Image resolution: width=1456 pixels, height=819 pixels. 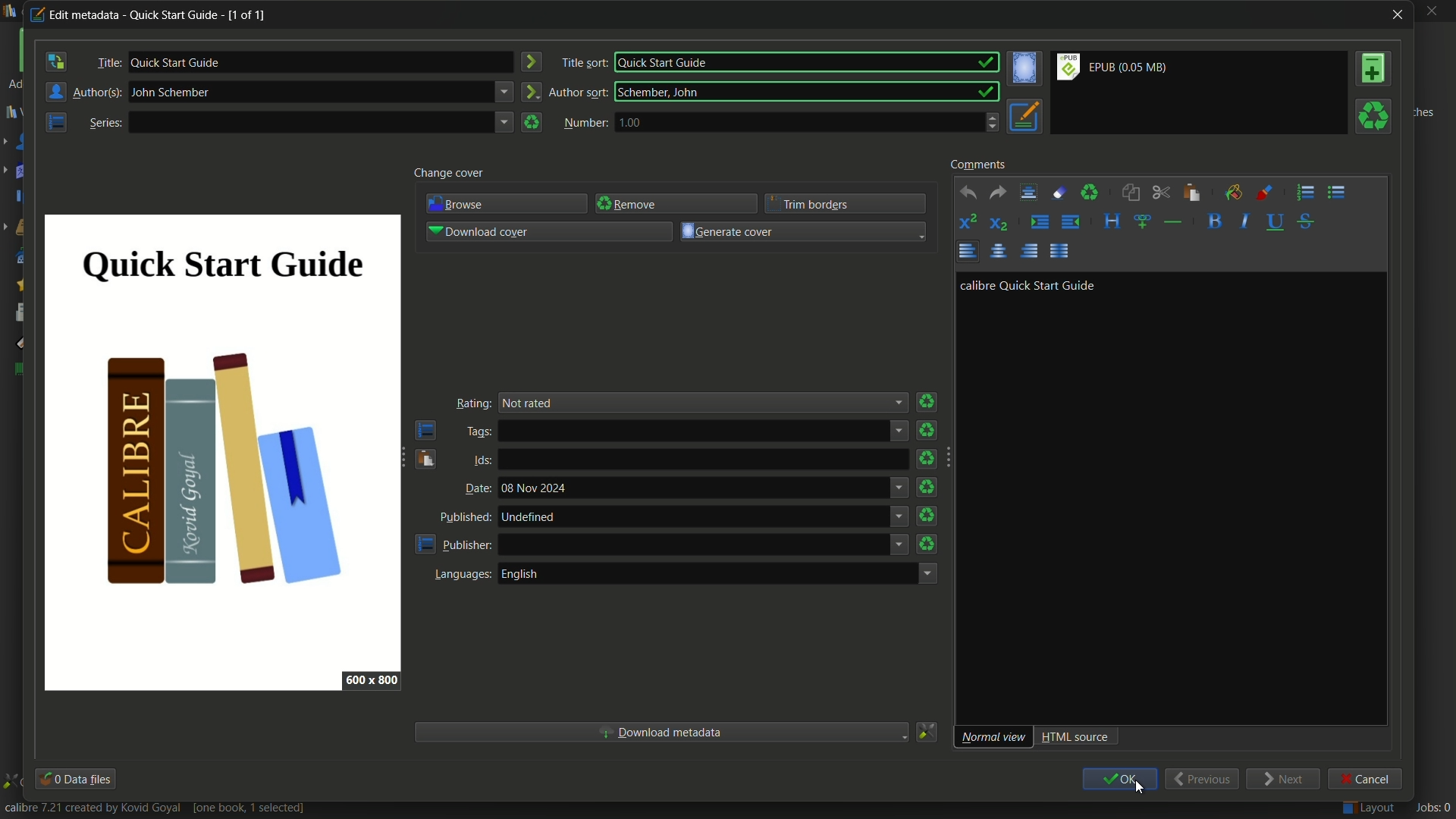 What do you see at coordinates (107, 62) in the screenshot?
I see `Title:` at bounding box center [107, 62].